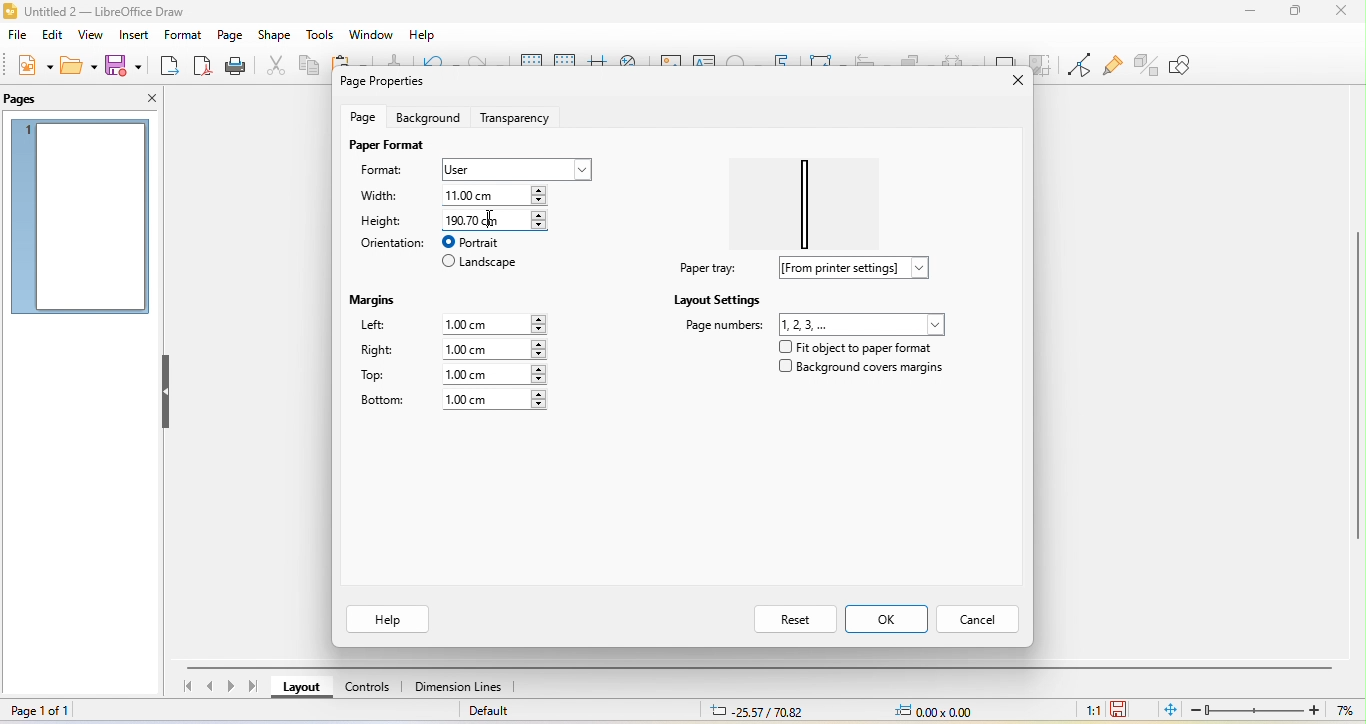 The width and height of the screenshot is (1366, 724). Describe the element at coordinates (812, 197) in the screenshot. I see `paper` at that location.